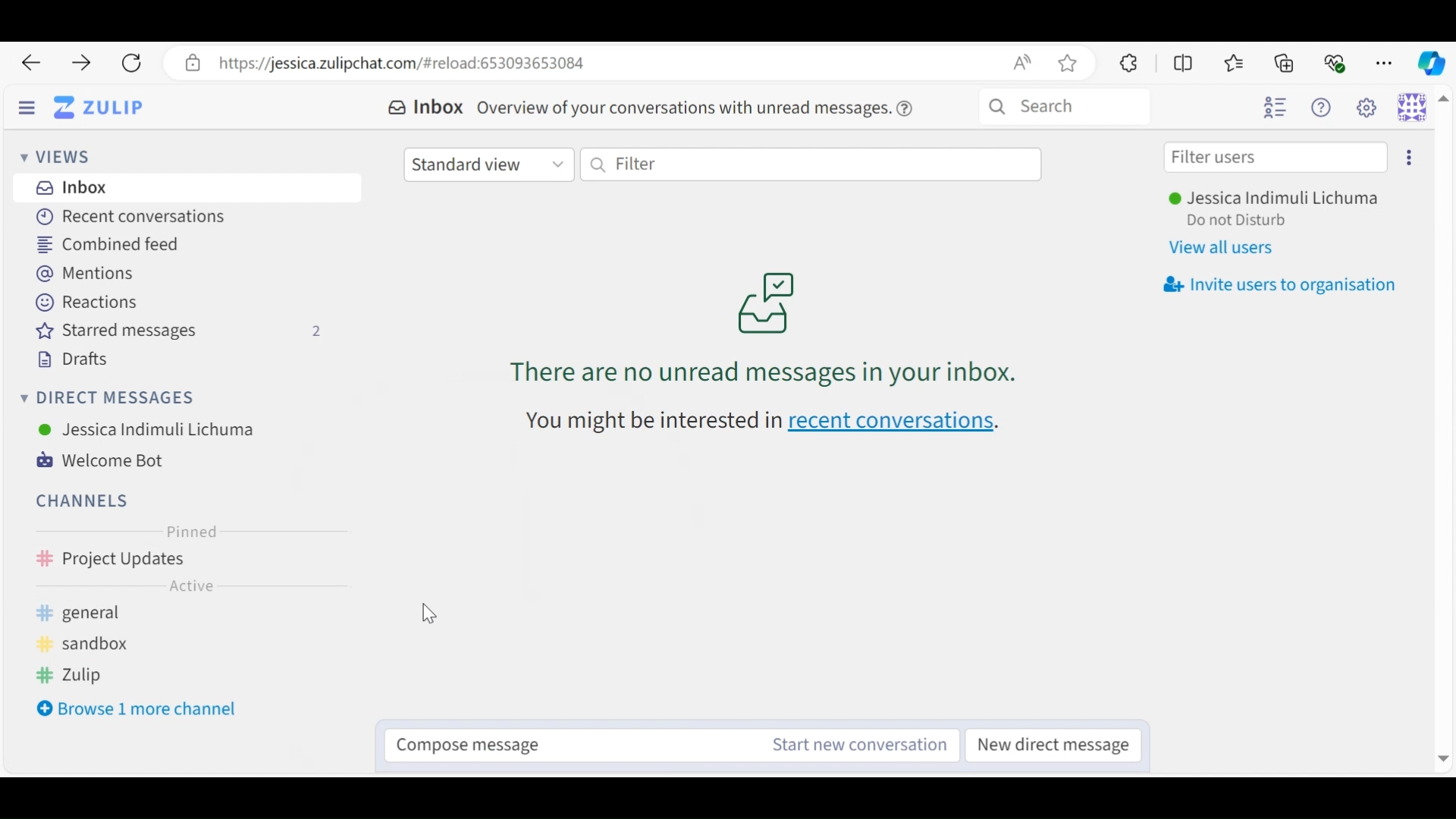 The width and height of the screenshot is (1456, 819). Describe the element at coordinates (111, 243) in the screenshot. I see `Combined feed` at that location.